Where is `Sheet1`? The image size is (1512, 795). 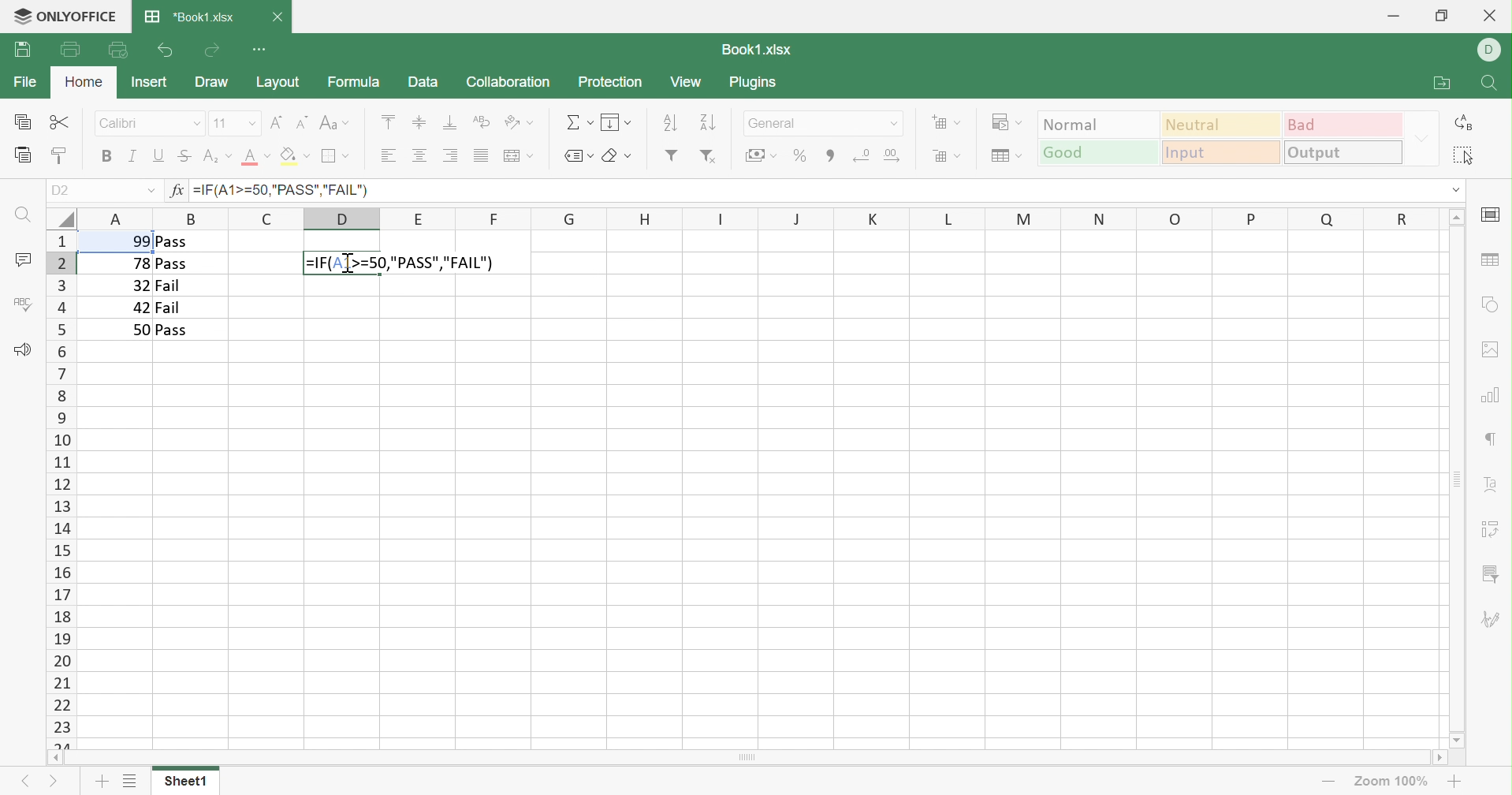
Sheet1 is located at coordinates (184, 784).